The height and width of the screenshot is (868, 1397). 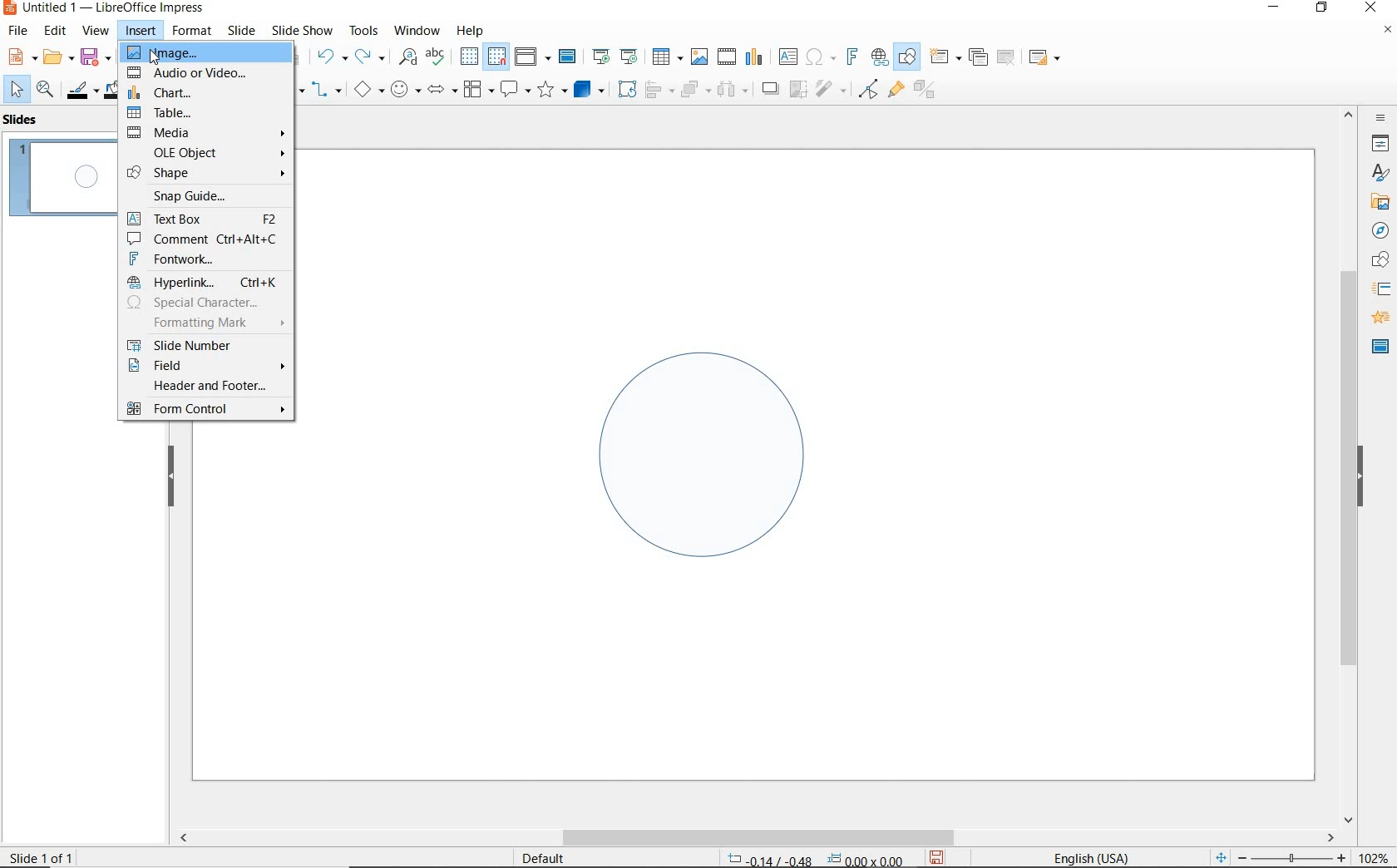 What do you see at coordinates (153, 59) in the screenshot?
I see `Cursor` at bounding box center [153, 59].